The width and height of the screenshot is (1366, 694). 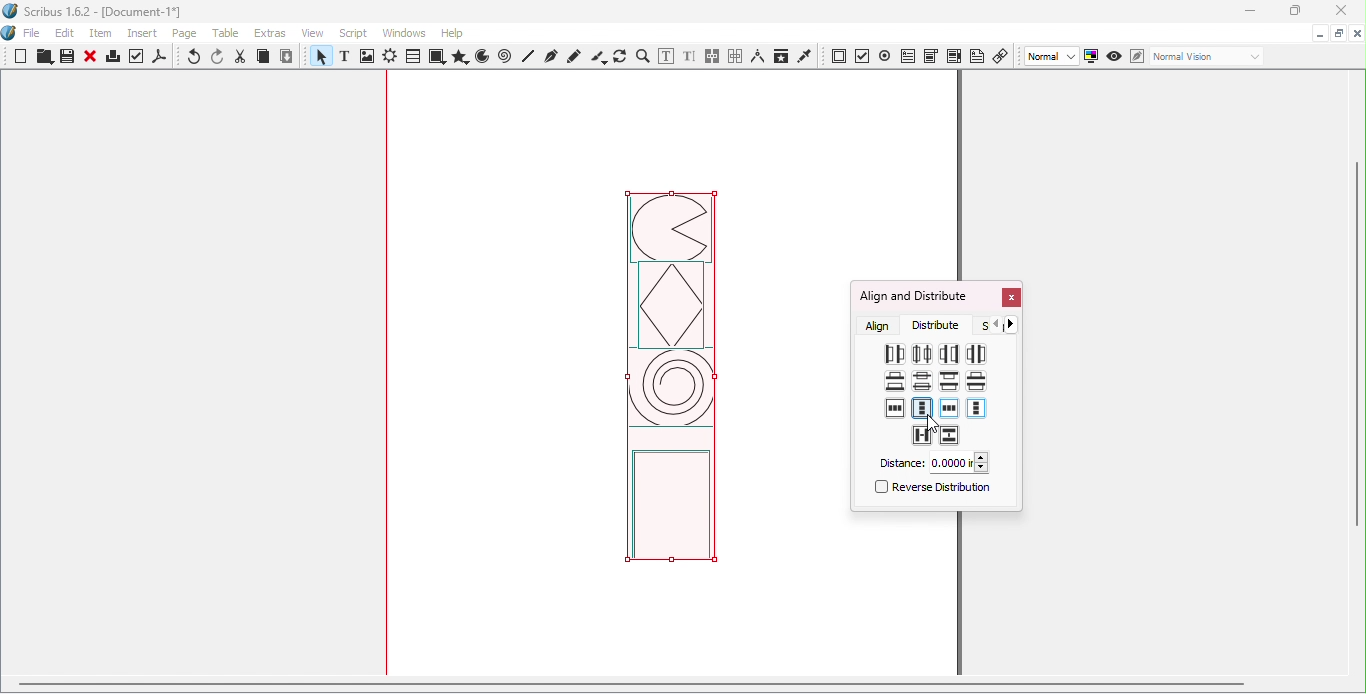 What do you see at coordinates (390, 58) in the screenshot?
I see `Render frame` at bounding box center [390, 58].